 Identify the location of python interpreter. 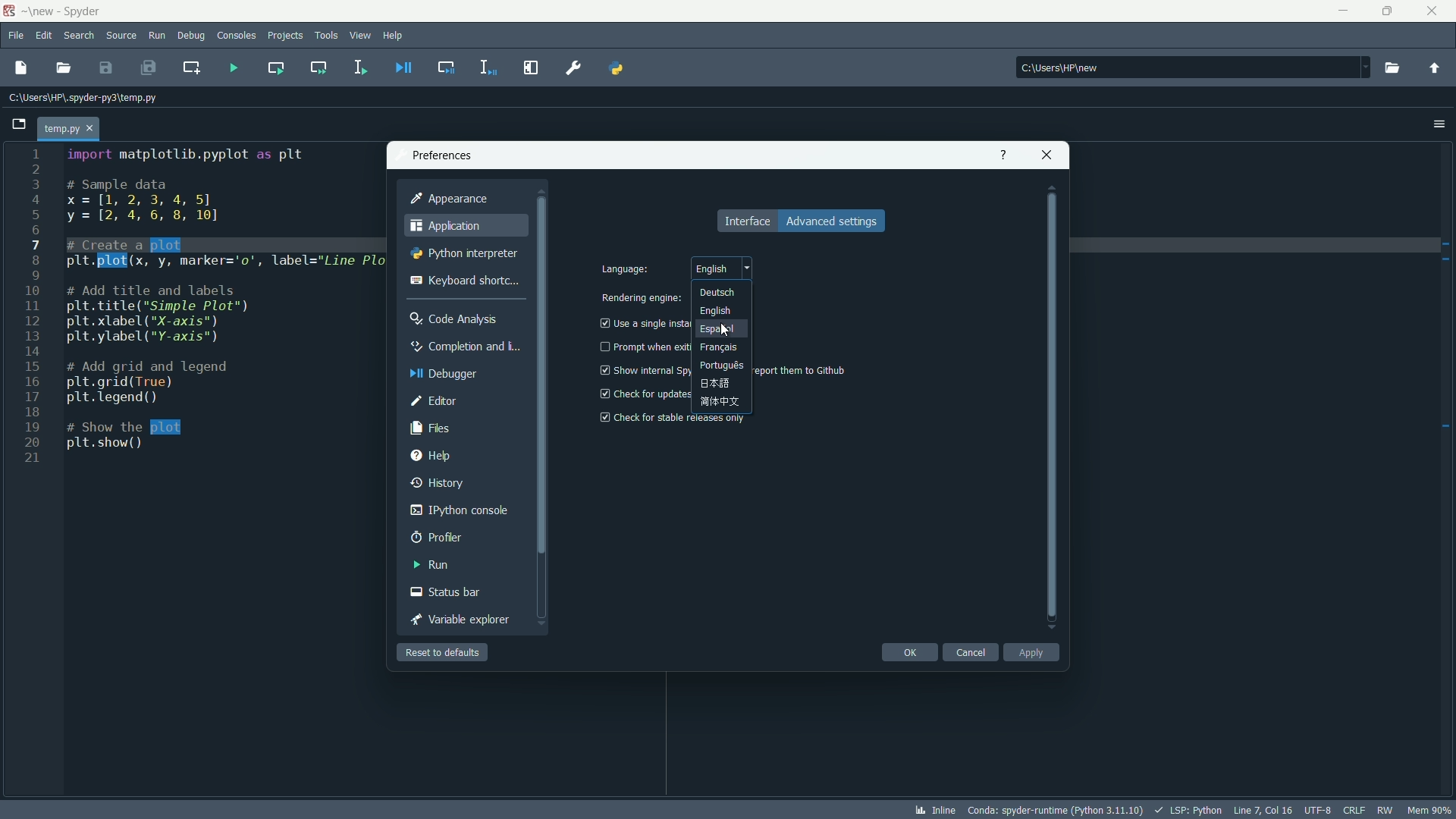
(466, 253).